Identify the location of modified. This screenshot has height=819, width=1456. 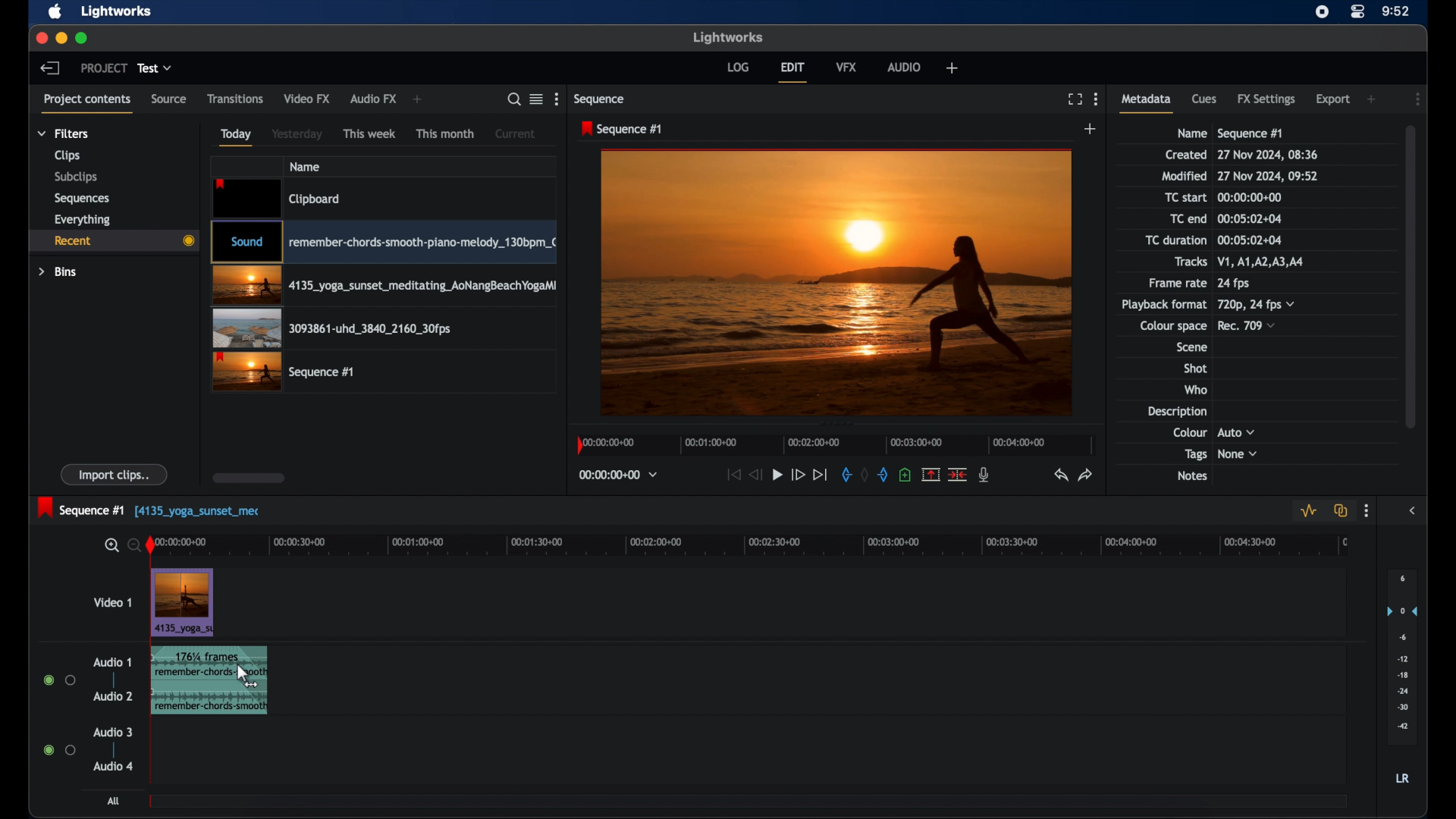
(1184, 176).